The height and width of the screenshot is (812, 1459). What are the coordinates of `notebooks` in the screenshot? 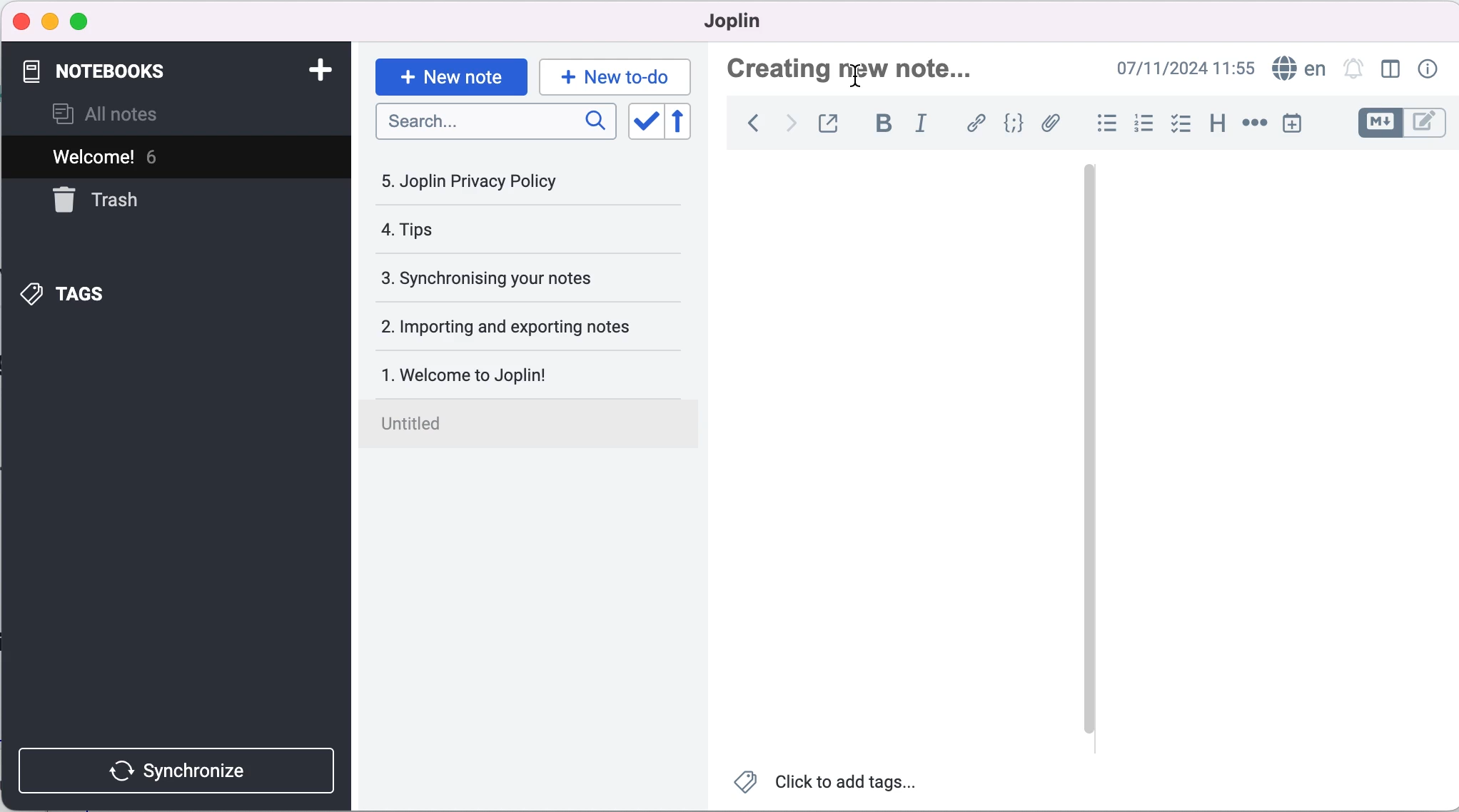 It's located at (141, 72).